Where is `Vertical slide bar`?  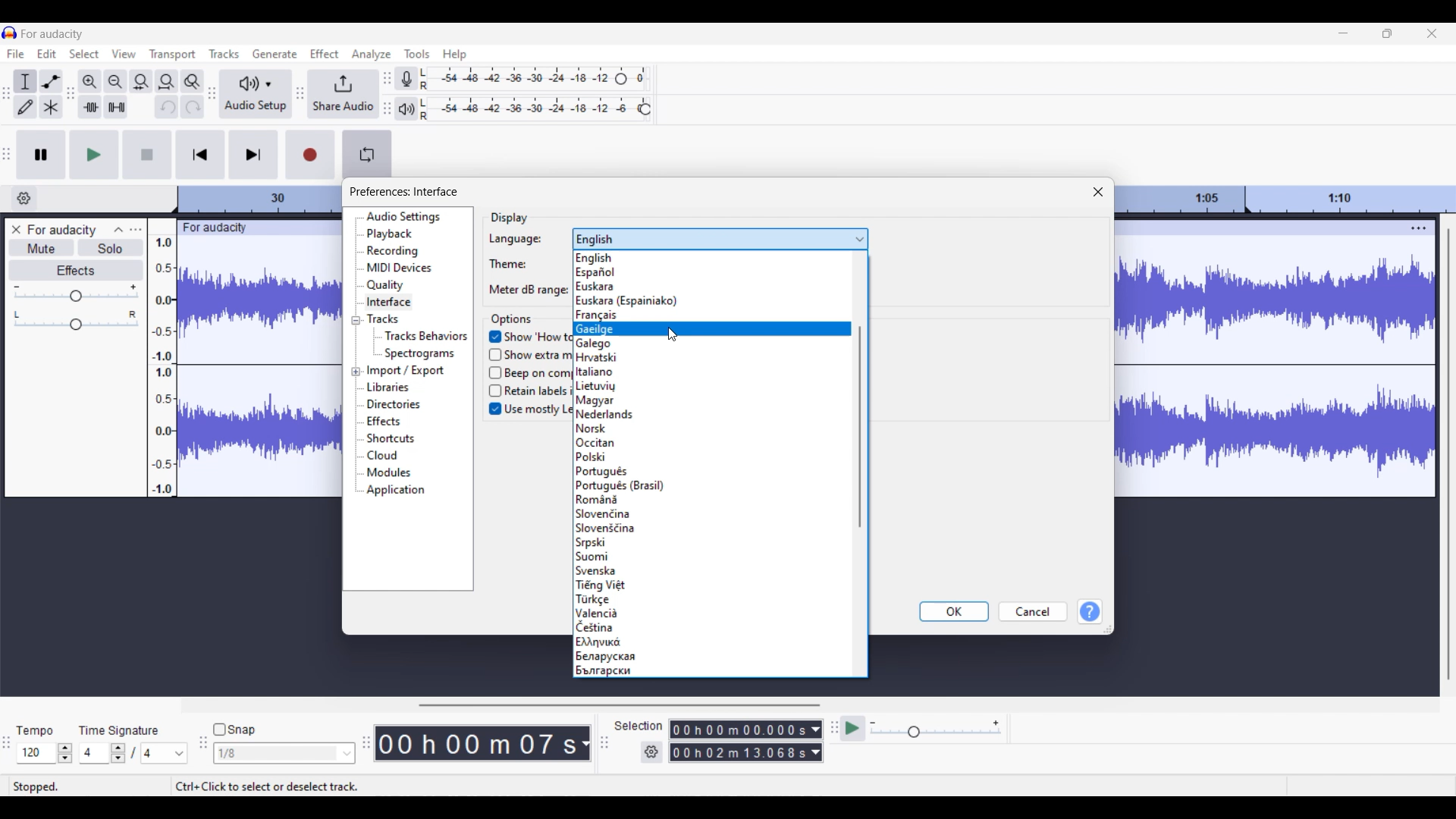 Vertical slide bar is located at coordinates (860, 427).